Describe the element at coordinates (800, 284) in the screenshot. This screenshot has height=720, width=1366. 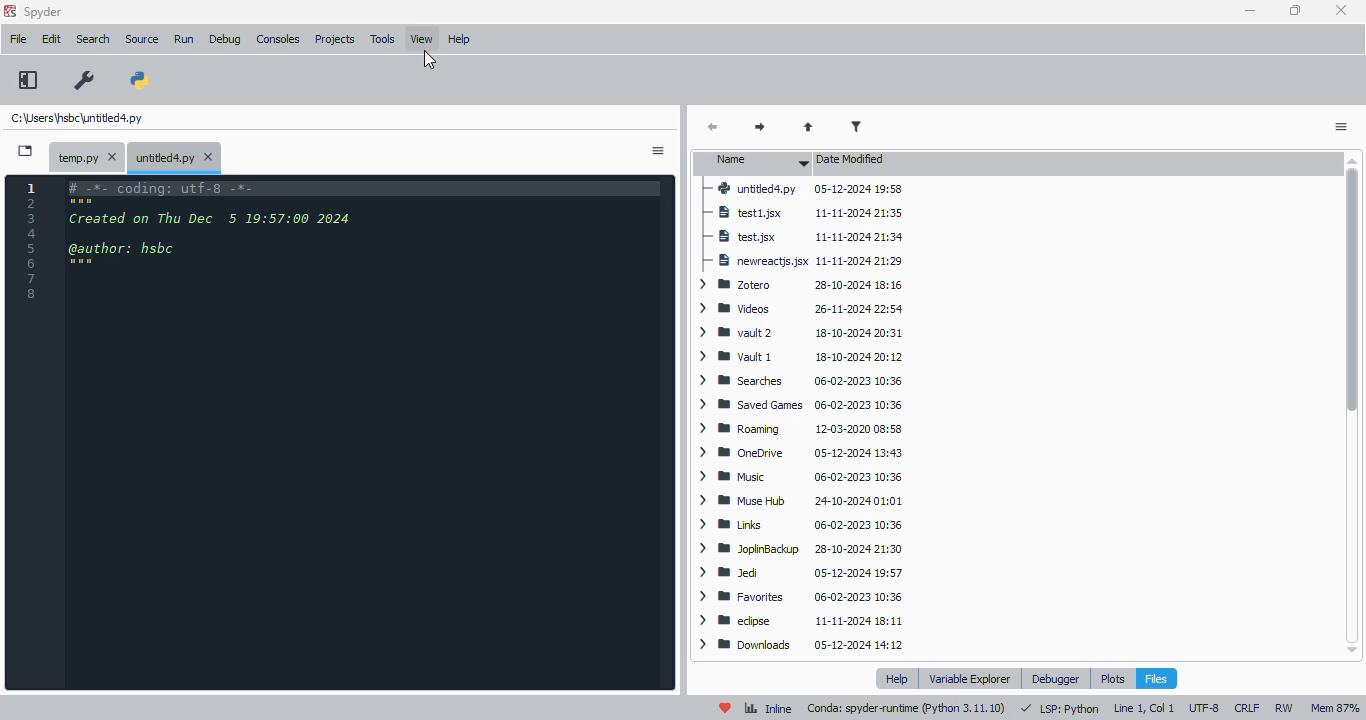
I see `Zotero` at that location.